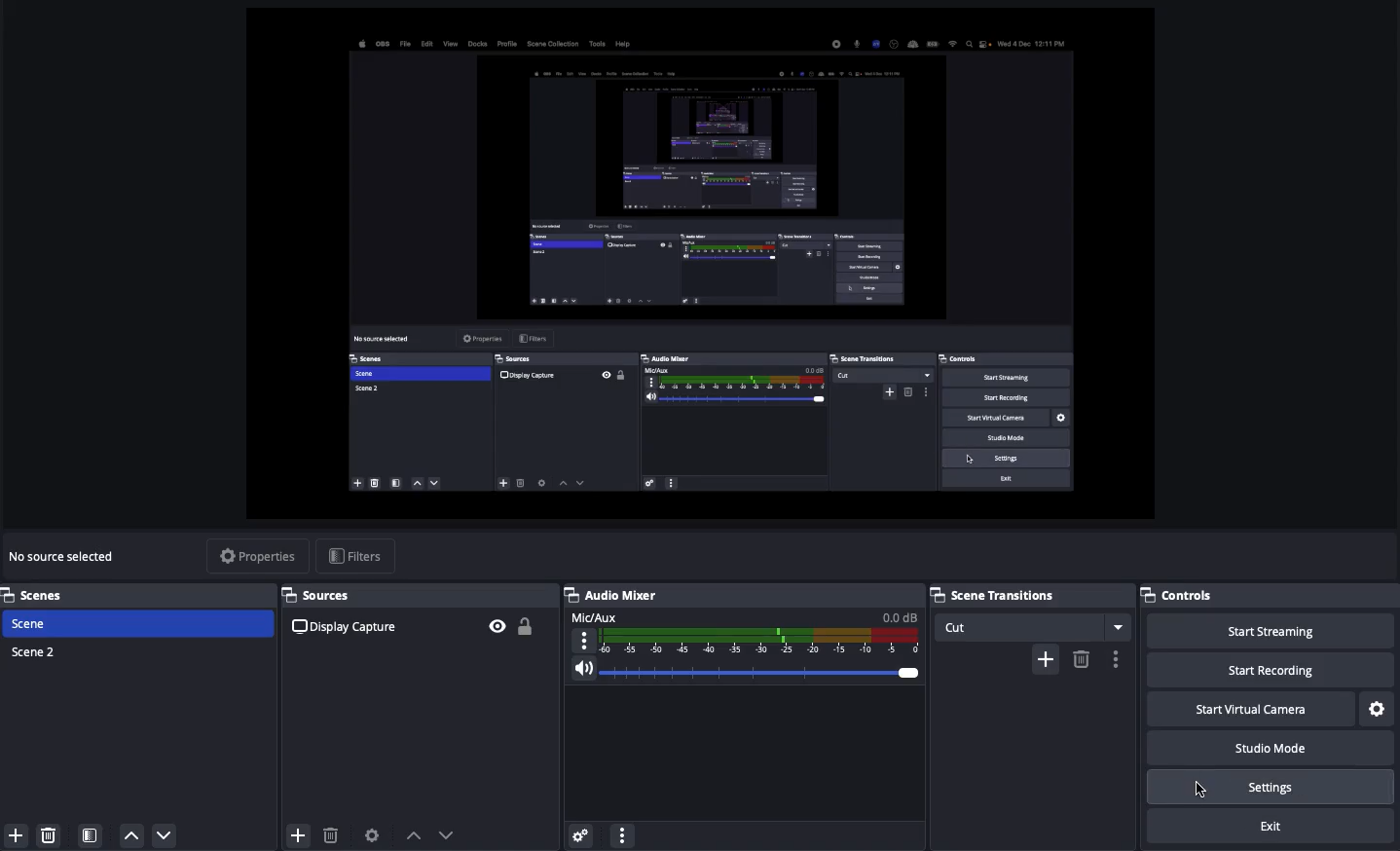 This screenshot has height=851, width=1400. What do you see at coordinates (448, 832) in the screenshot?
I see `Down` at bounding box center [448, 832].